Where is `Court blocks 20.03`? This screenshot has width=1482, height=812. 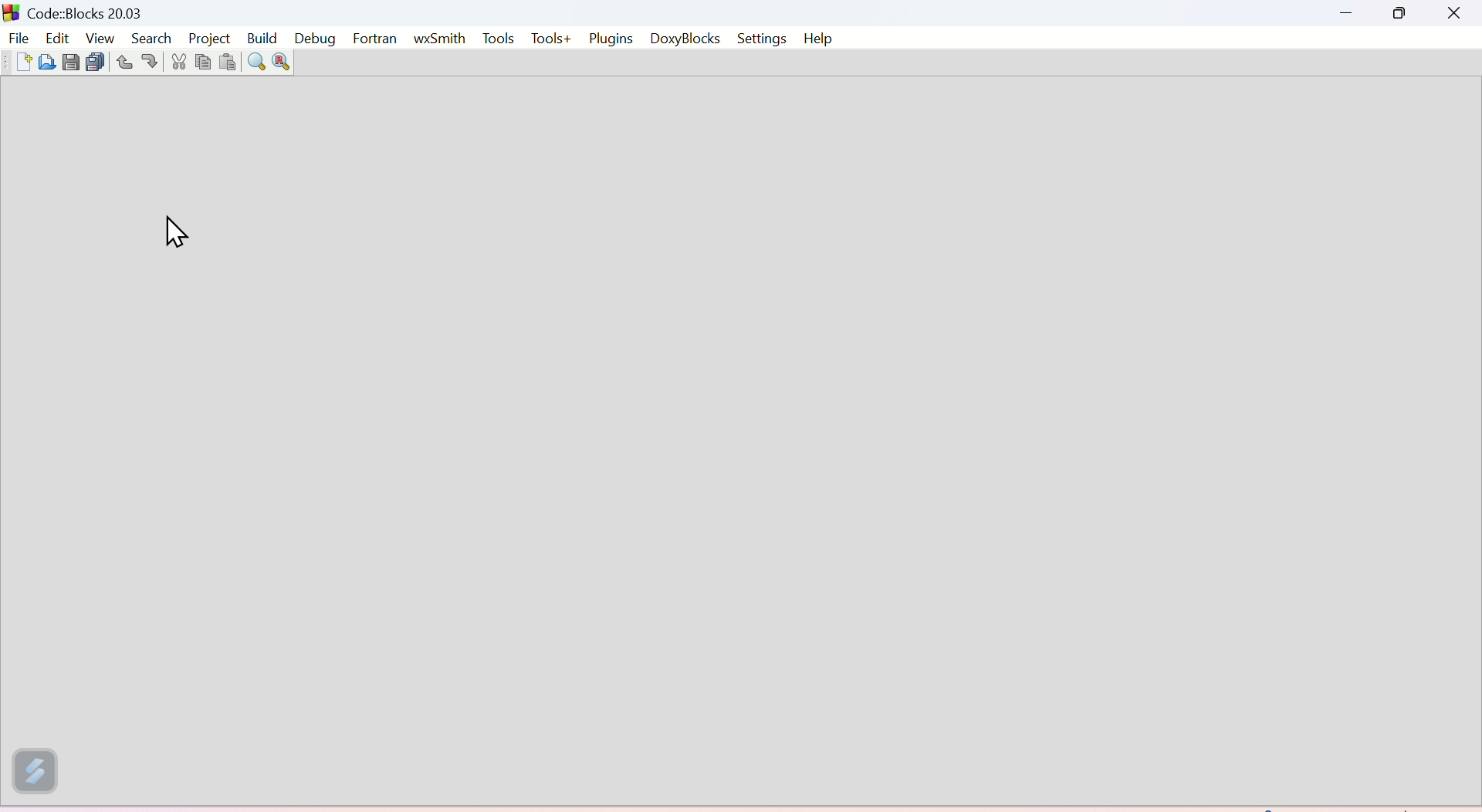 Court blocks 20.03 is located at coordinates (93, 10).